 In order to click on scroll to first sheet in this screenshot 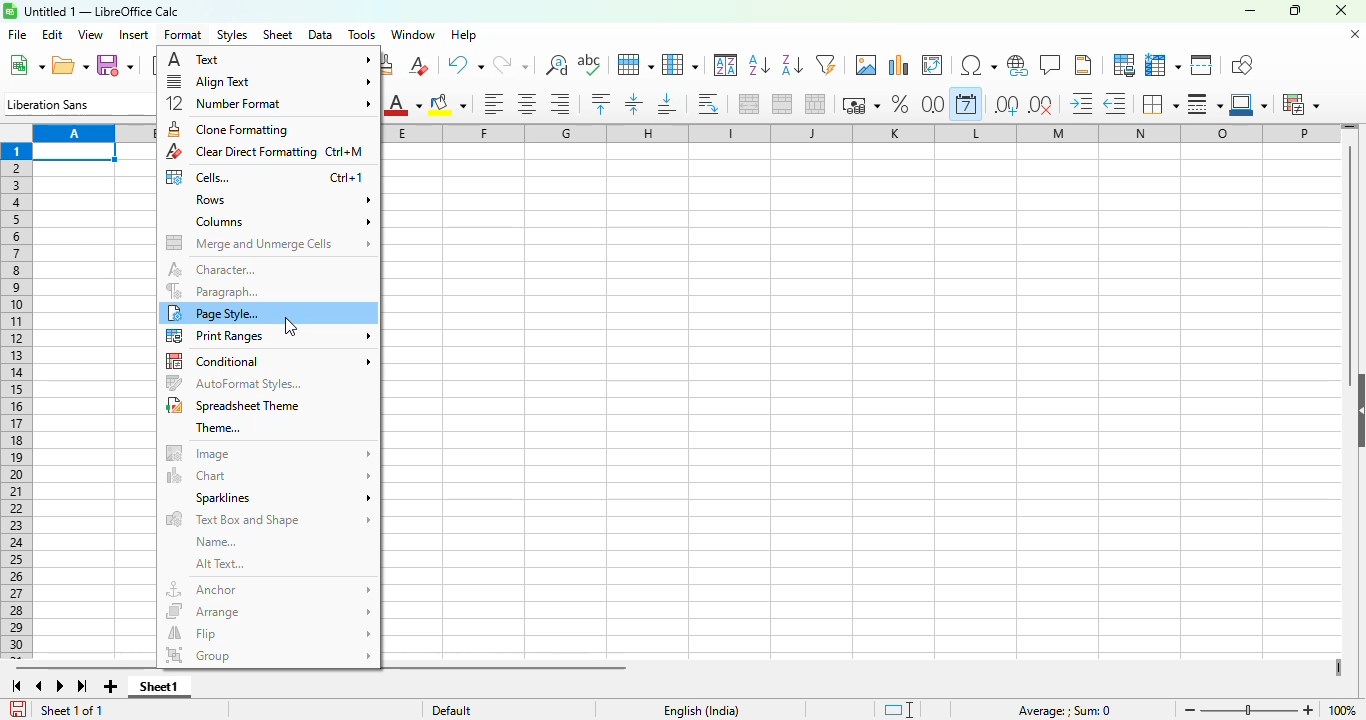, I will do `click(16, 687)`.